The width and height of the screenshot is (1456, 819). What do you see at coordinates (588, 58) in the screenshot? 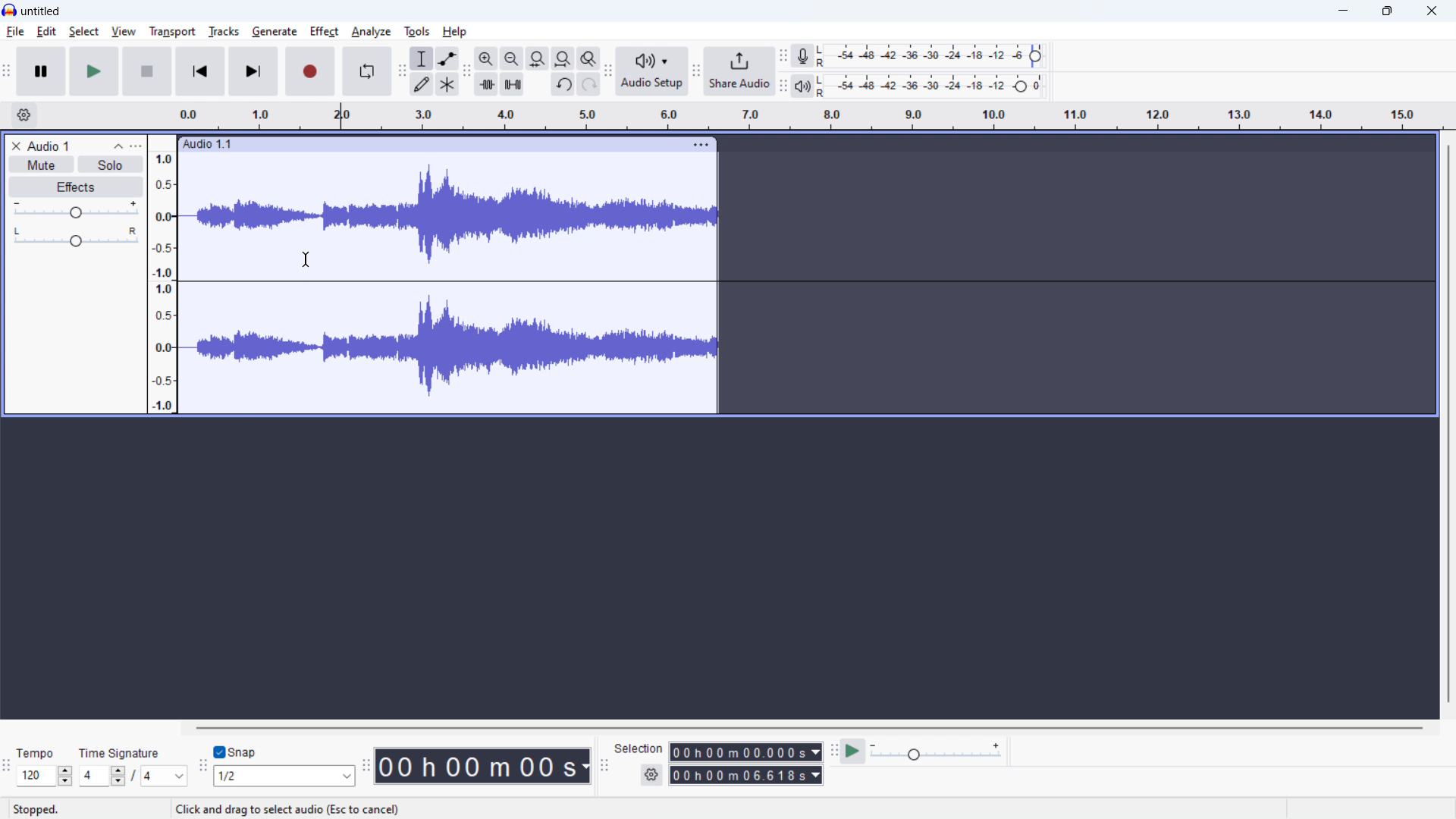
I see `toggle zoom` at bounding box center [588, 58].